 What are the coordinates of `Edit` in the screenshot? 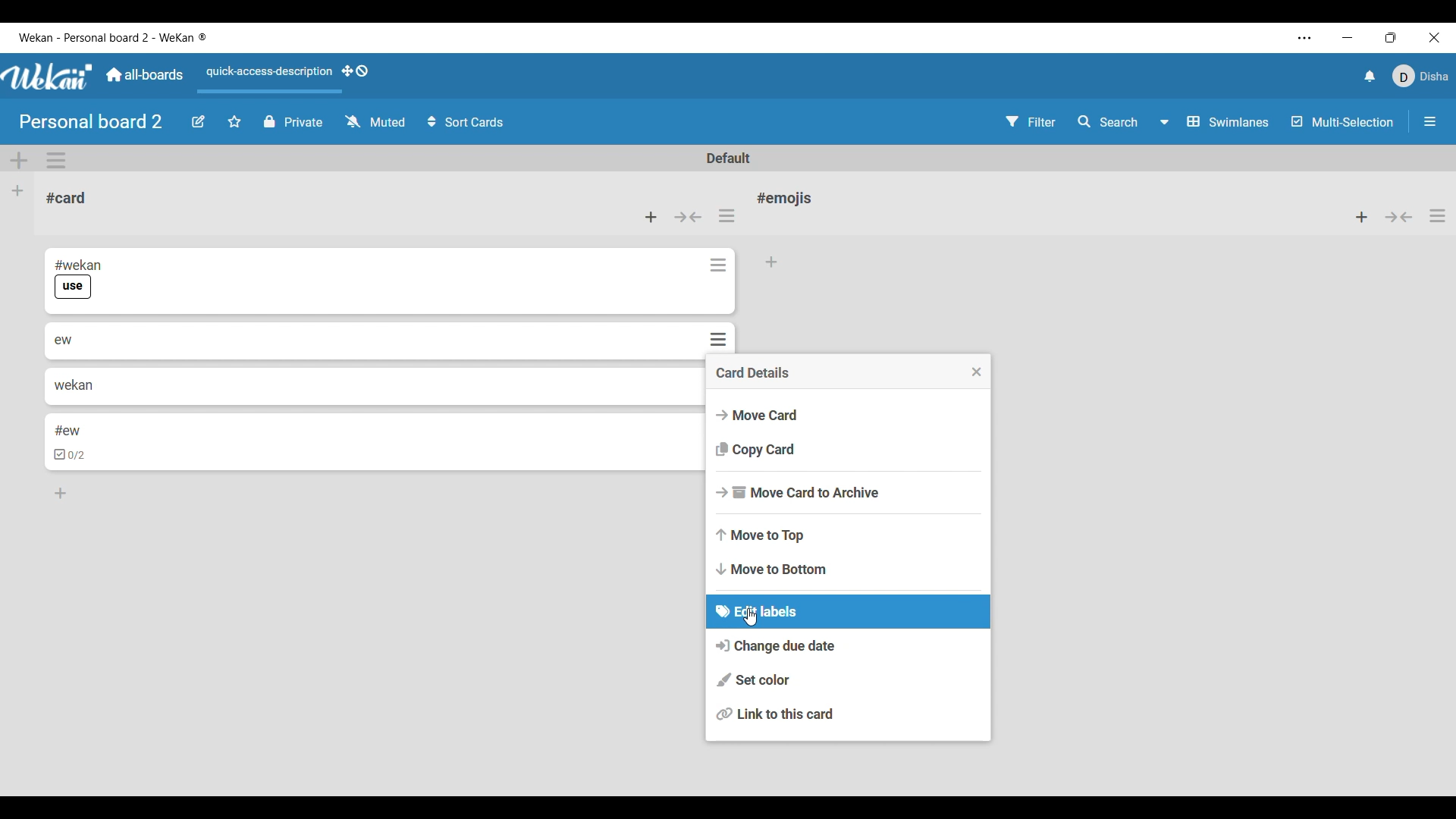 It's located at (198, 122).